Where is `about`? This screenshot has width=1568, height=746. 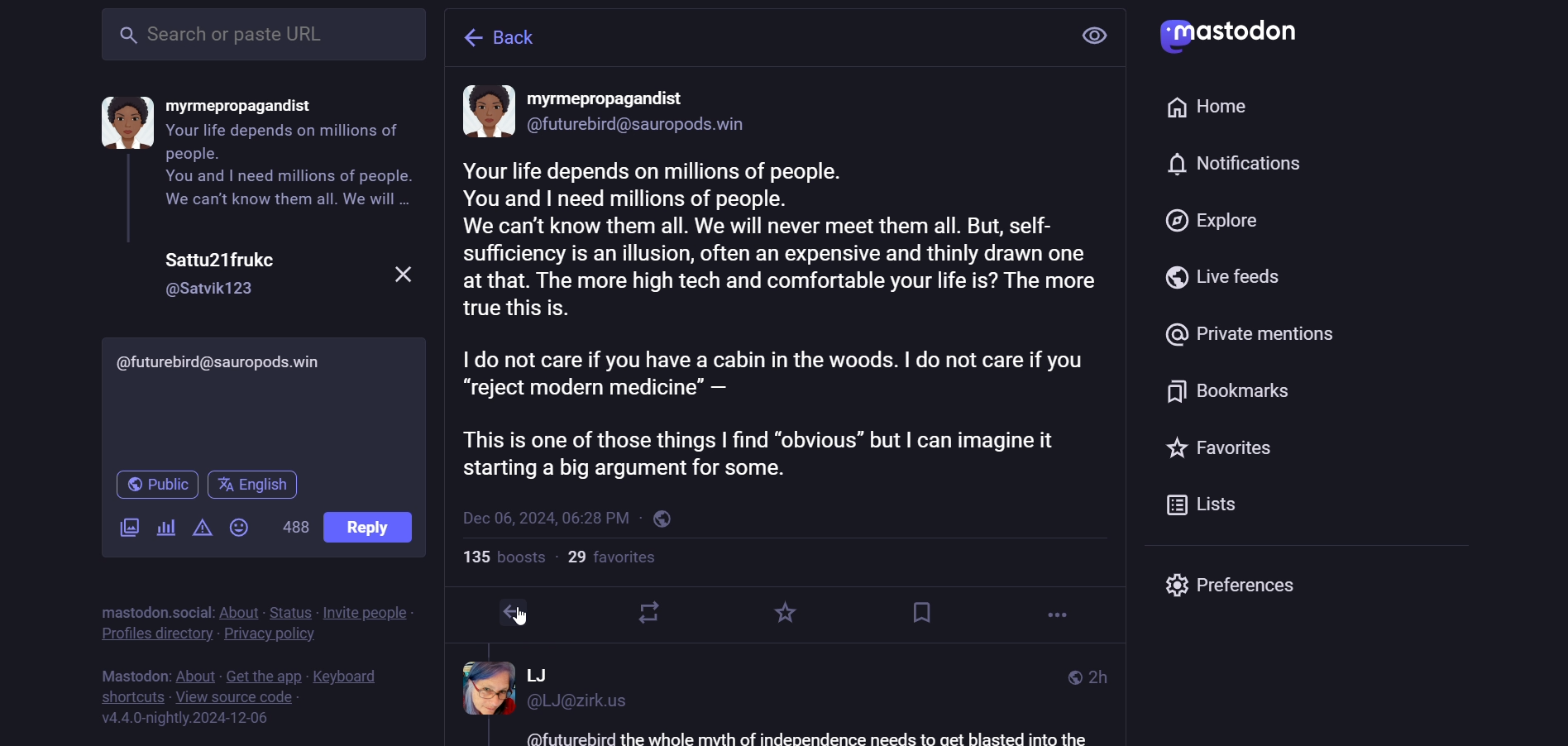
about is located at coordinates (241, 612).